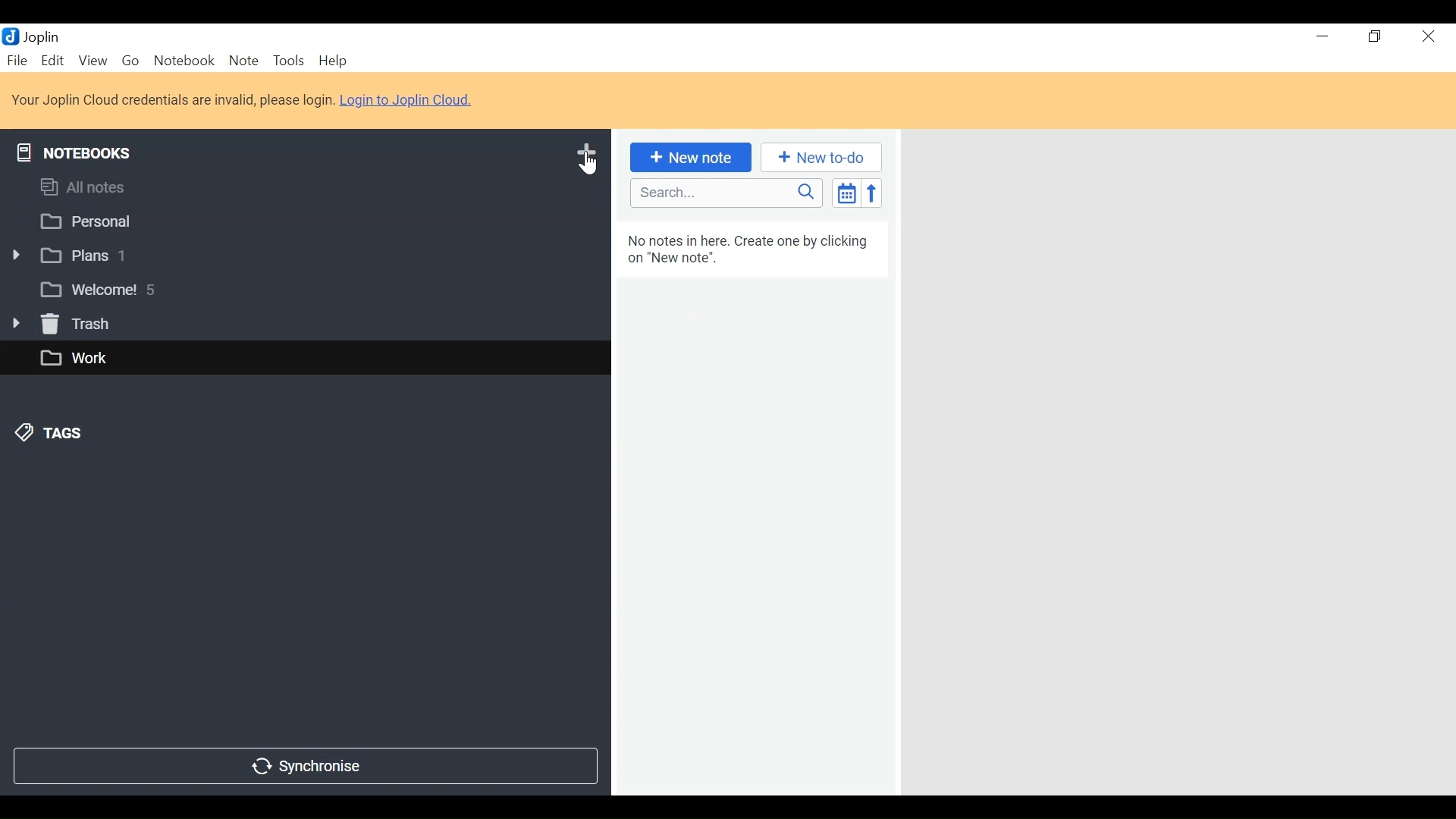 The width and height of the screenshot is (1456, 819). Describe the element at coordinates (1179, 459) in the screenshot. I see `Display` at that location.